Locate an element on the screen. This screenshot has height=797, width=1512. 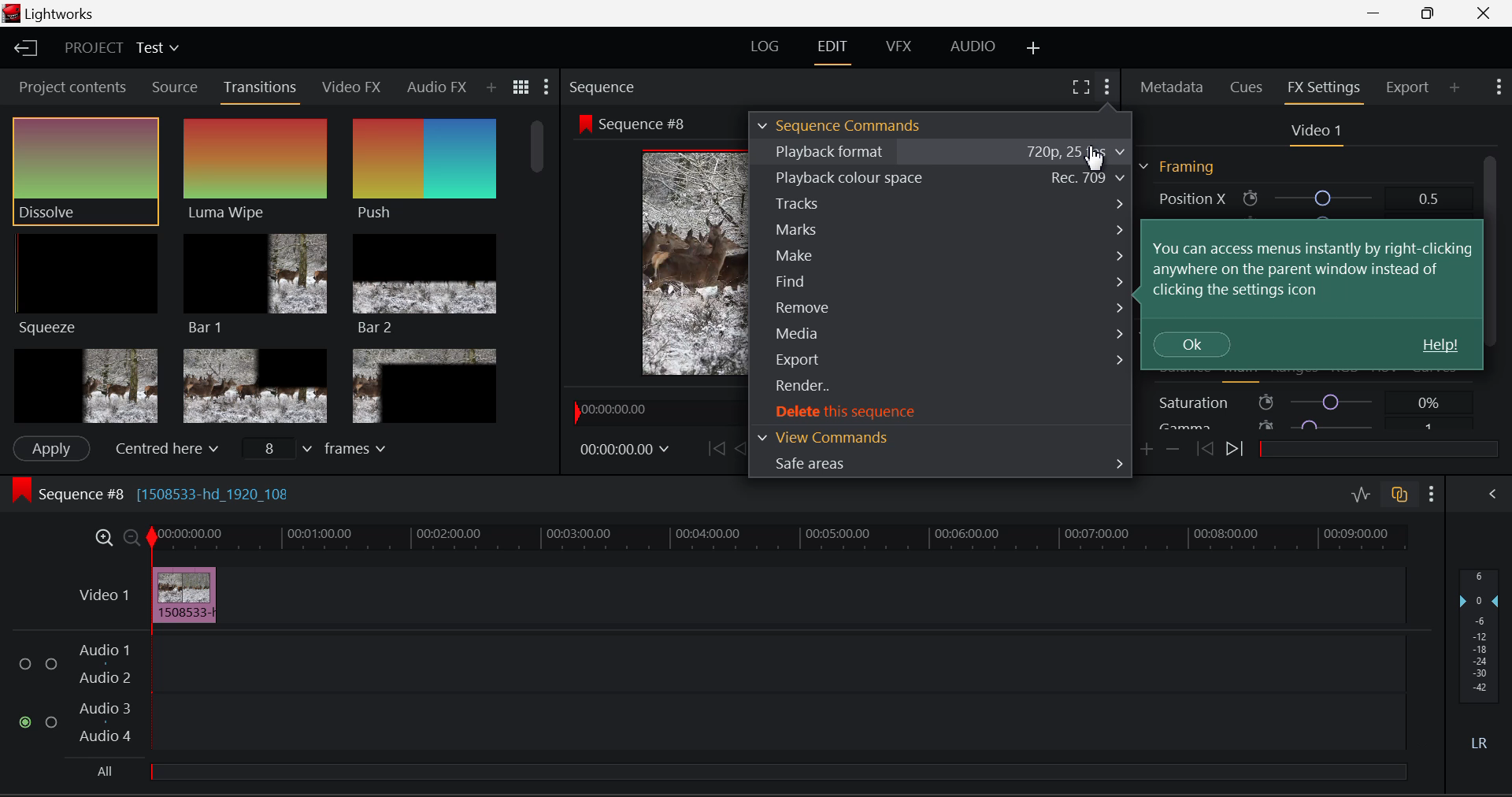
Squeeze is located at coordinates (86, 284).